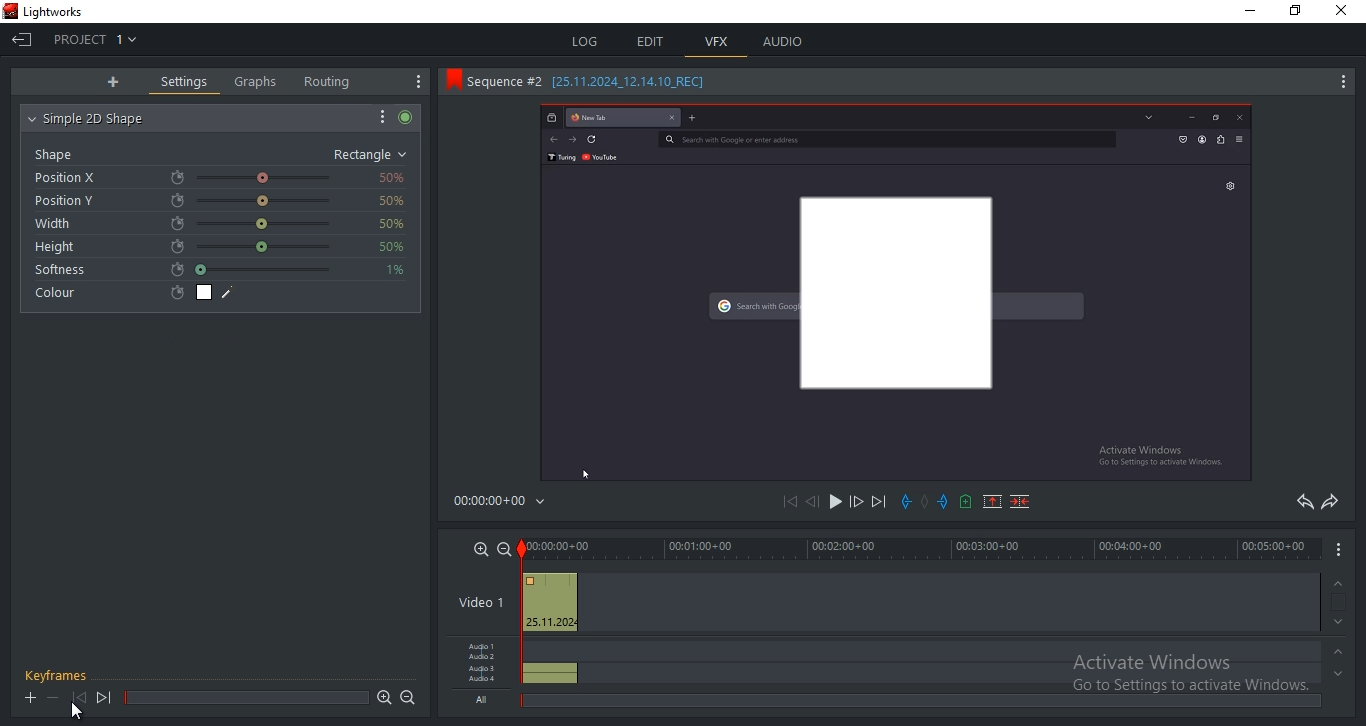 The width and height of the screenshot is (1366, 726). What do you see at coordinates (95, 39) in the screenshot?
I see `project 1` at bounding box center [95, 39].